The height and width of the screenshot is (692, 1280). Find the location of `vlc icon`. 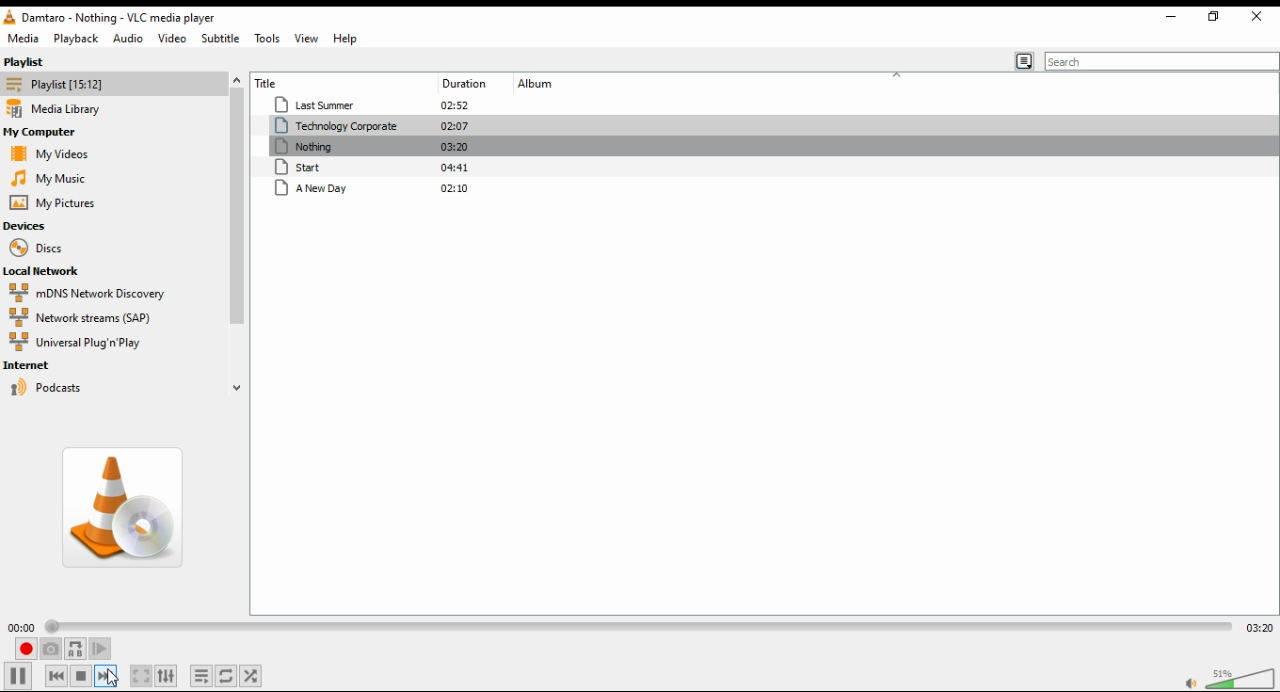

vlc icon is located at coordinates (10, 20).